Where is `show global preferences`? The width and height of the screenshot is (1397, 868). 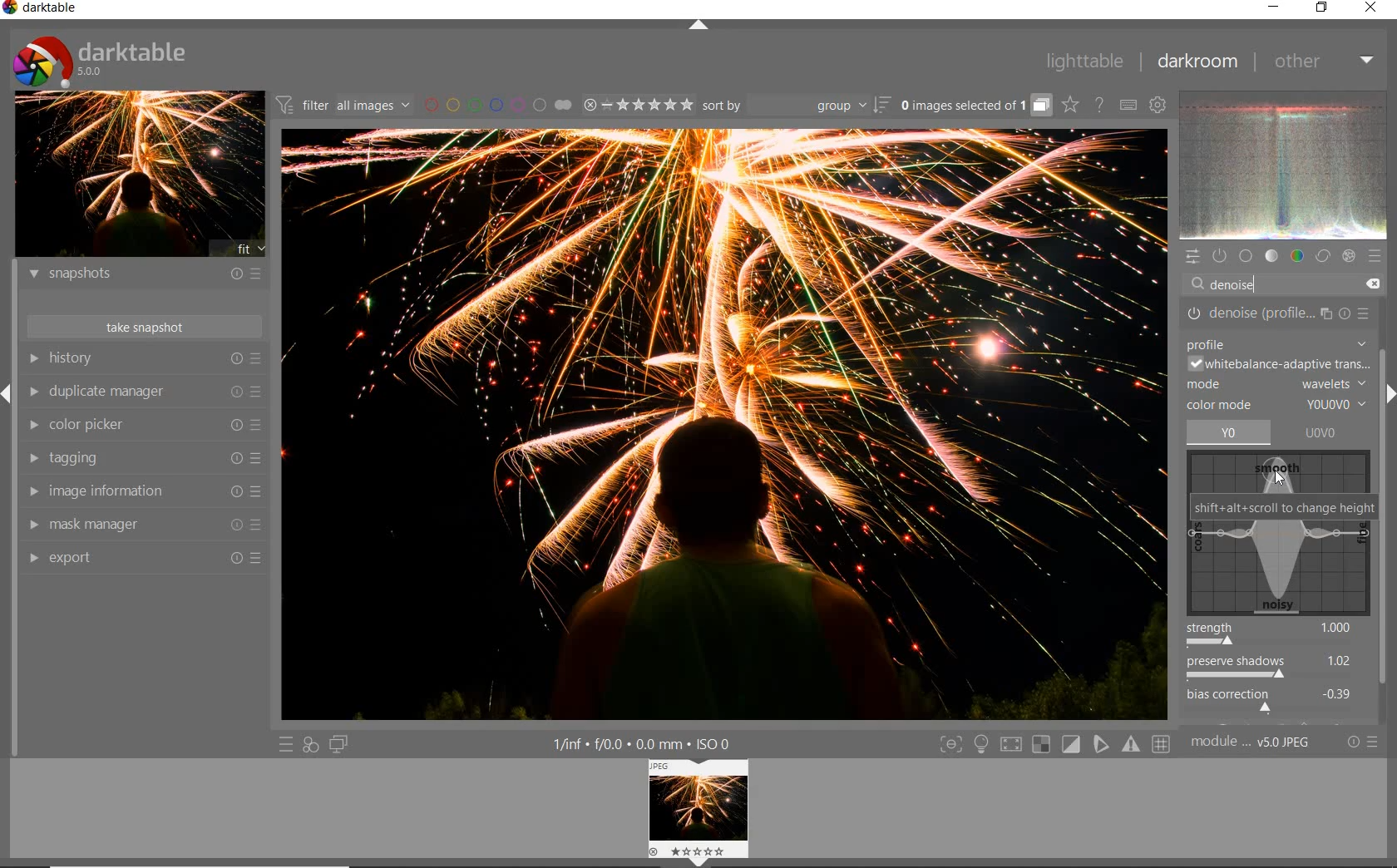
show global preferences is located at coordinates (1156, 105).